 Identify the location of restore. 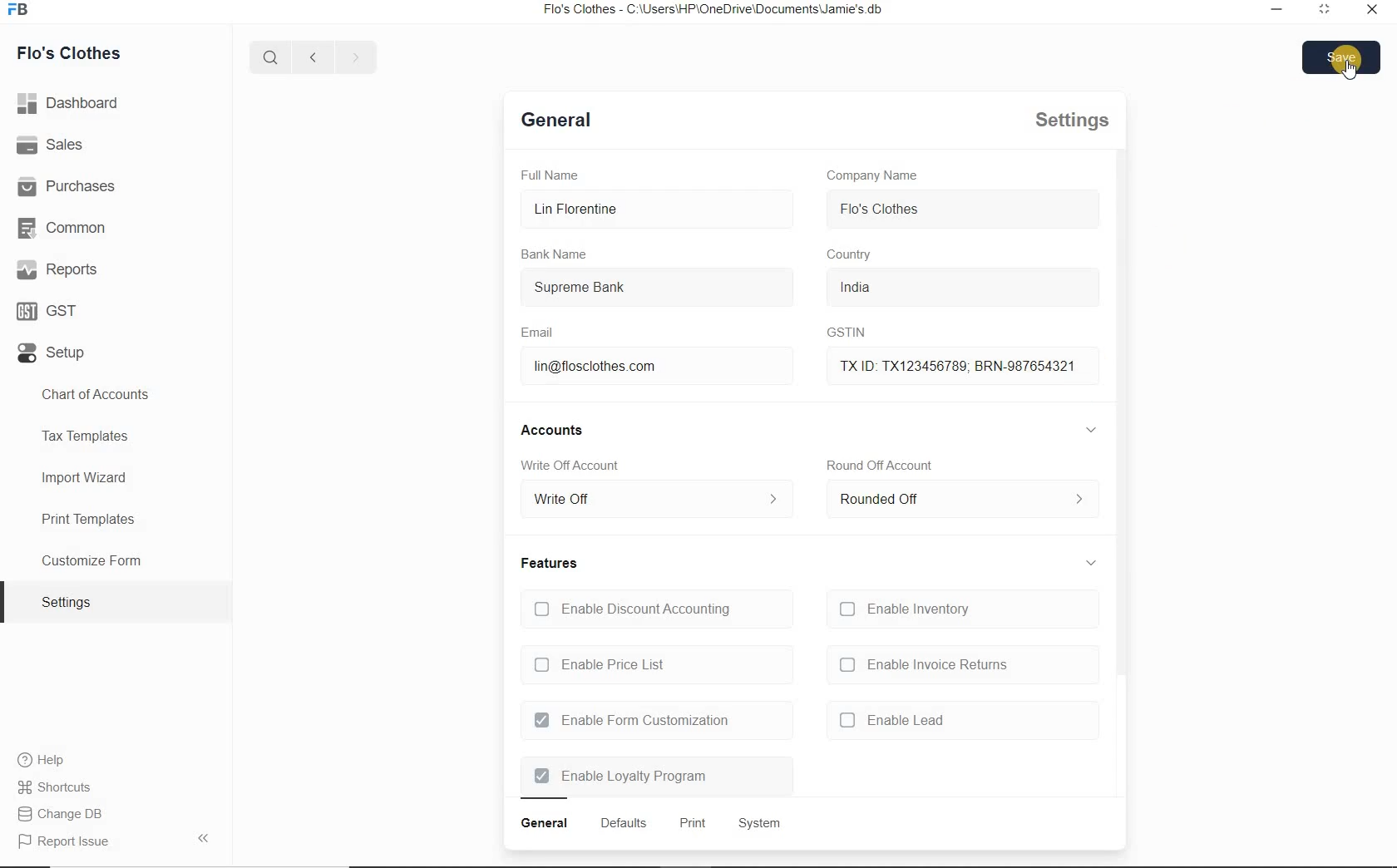
(1279, 12).